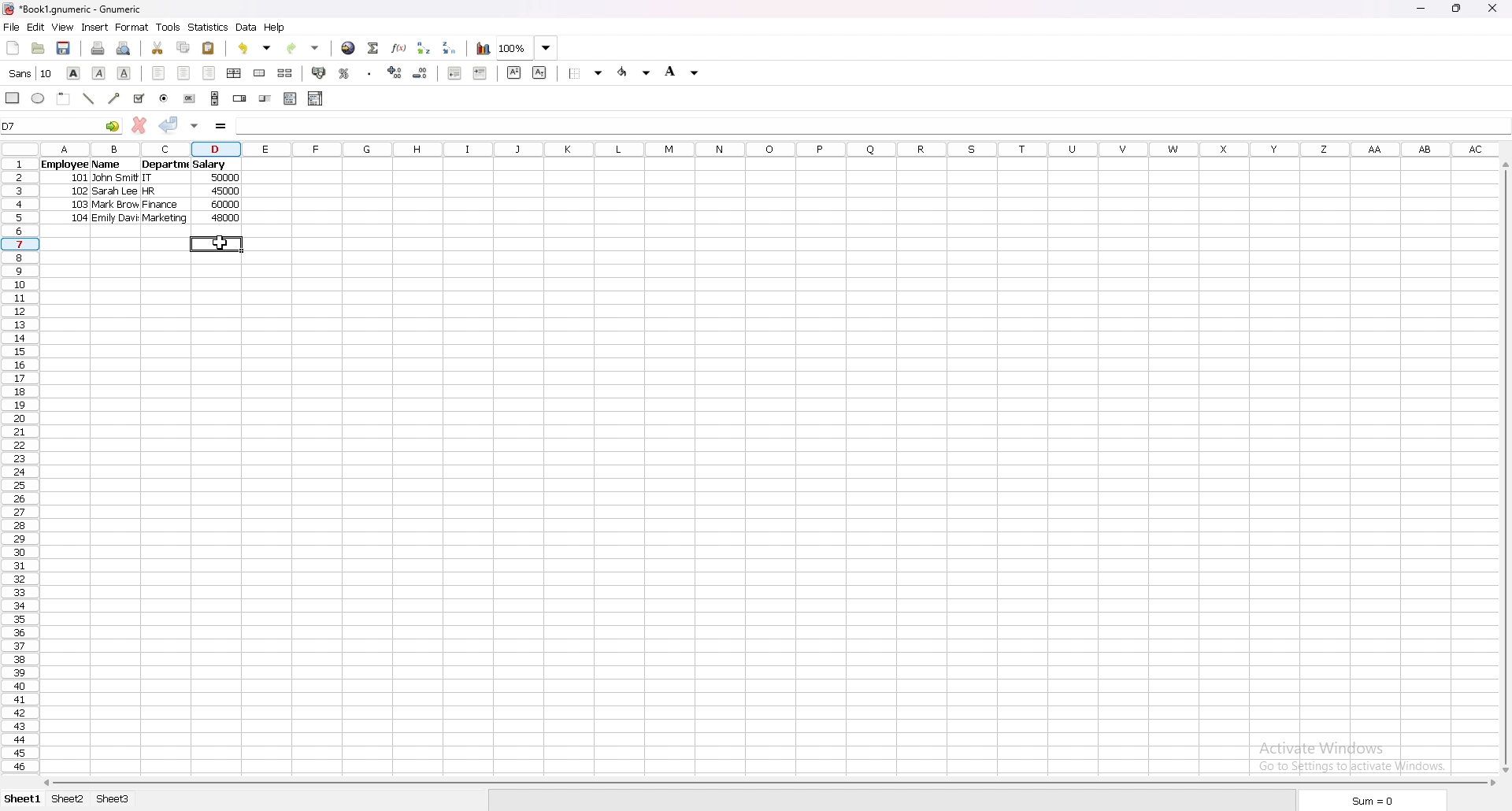 The height and width of the screenshot is (811, 1512). Describe the element at coordinates (227, 205) in the screenshot. I see `60000` at that location.